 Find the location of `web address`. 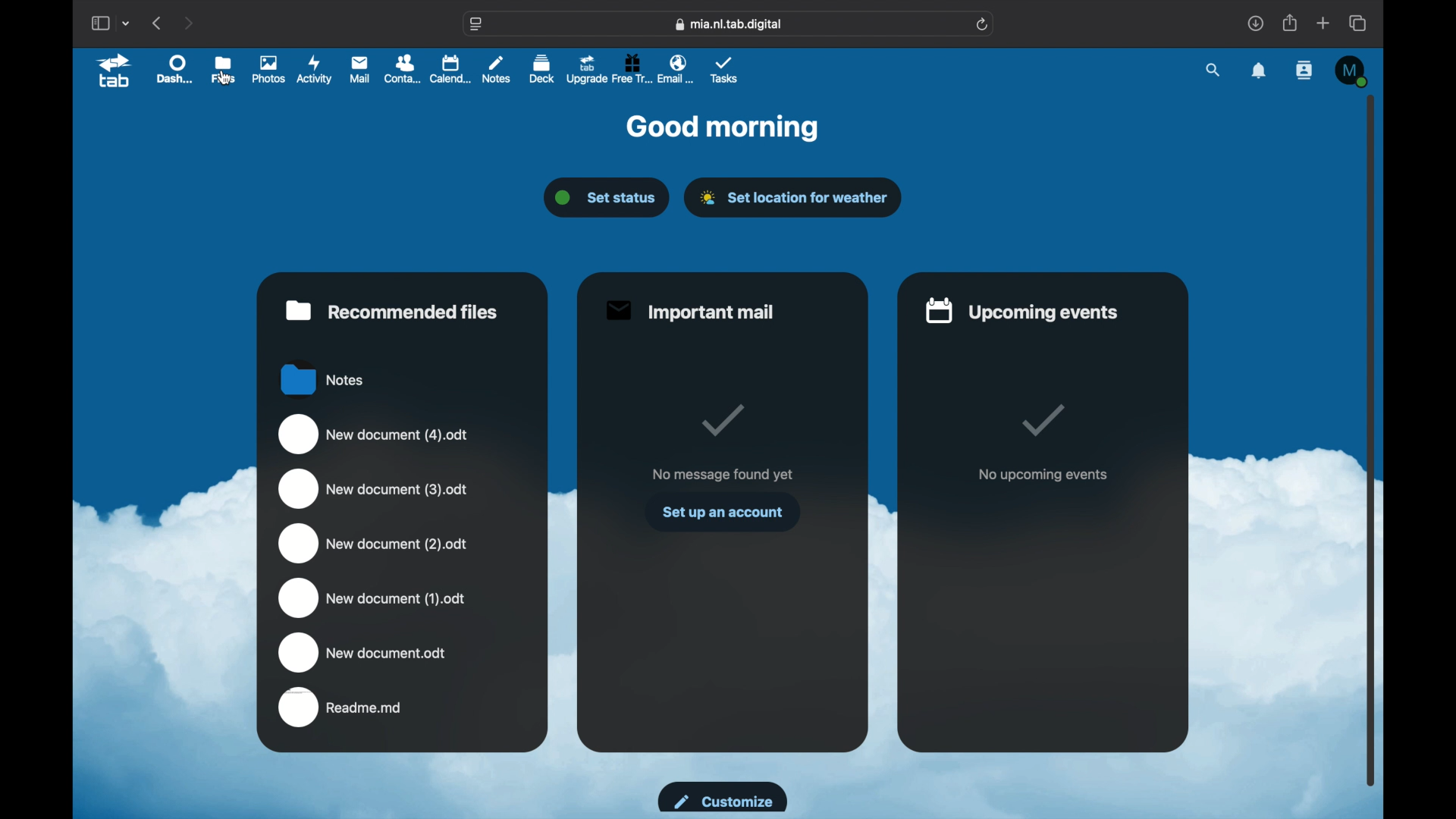

web address is located at coordinates (477, 25).